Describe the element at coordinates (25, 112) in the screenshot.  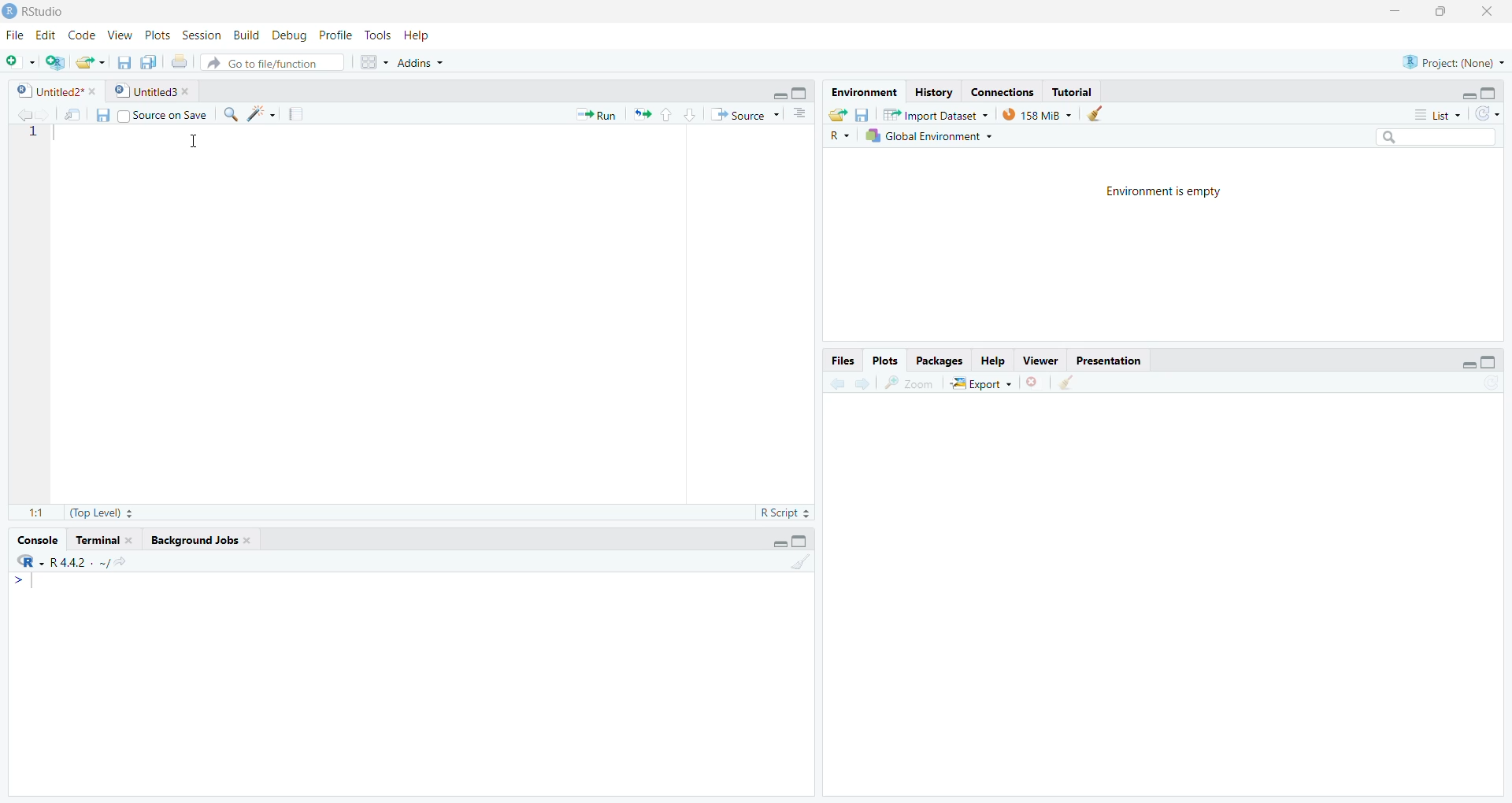
I see `forward/backward` at that location.